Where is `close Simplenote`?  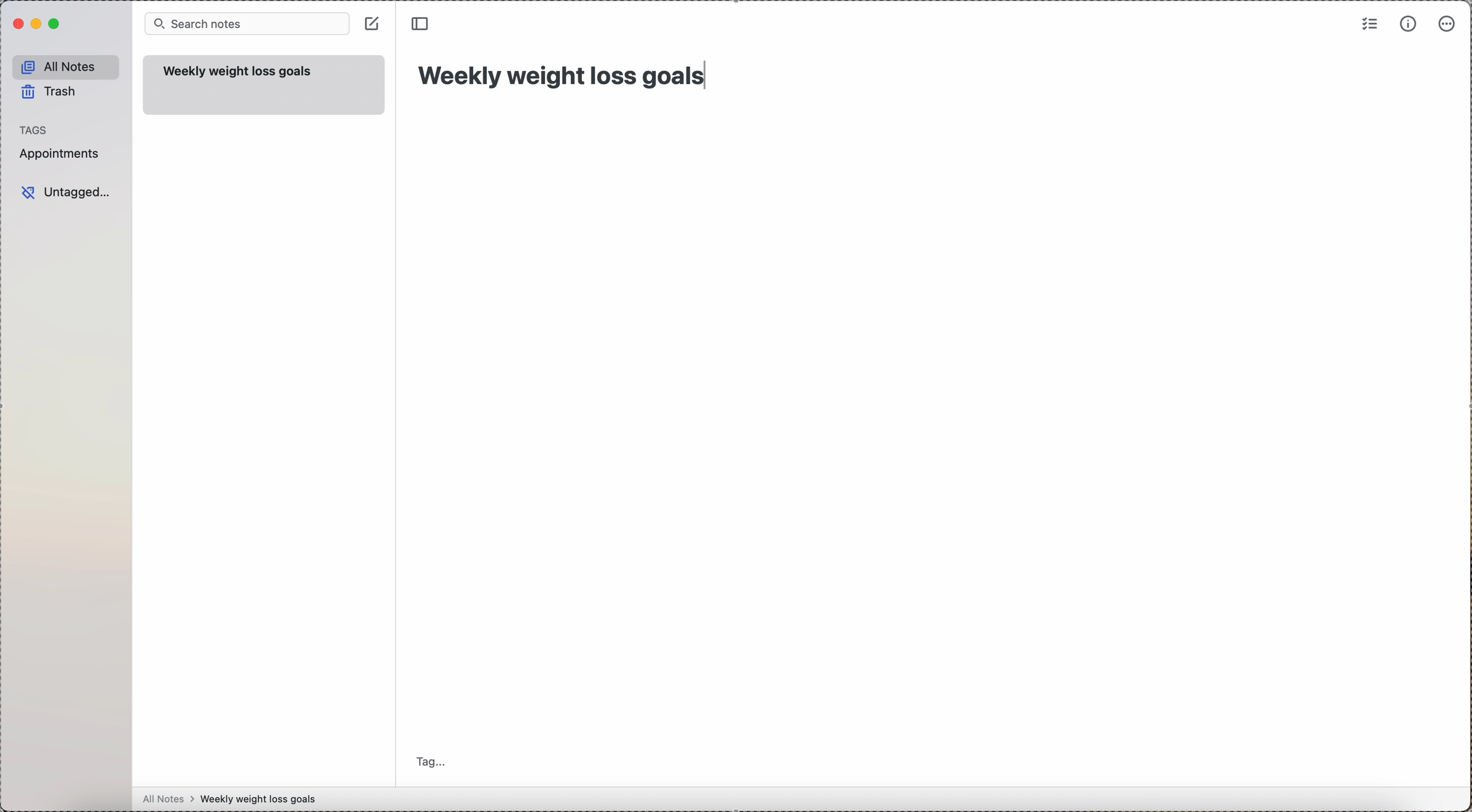 close Simplenote is located at coordinates (18, 23).